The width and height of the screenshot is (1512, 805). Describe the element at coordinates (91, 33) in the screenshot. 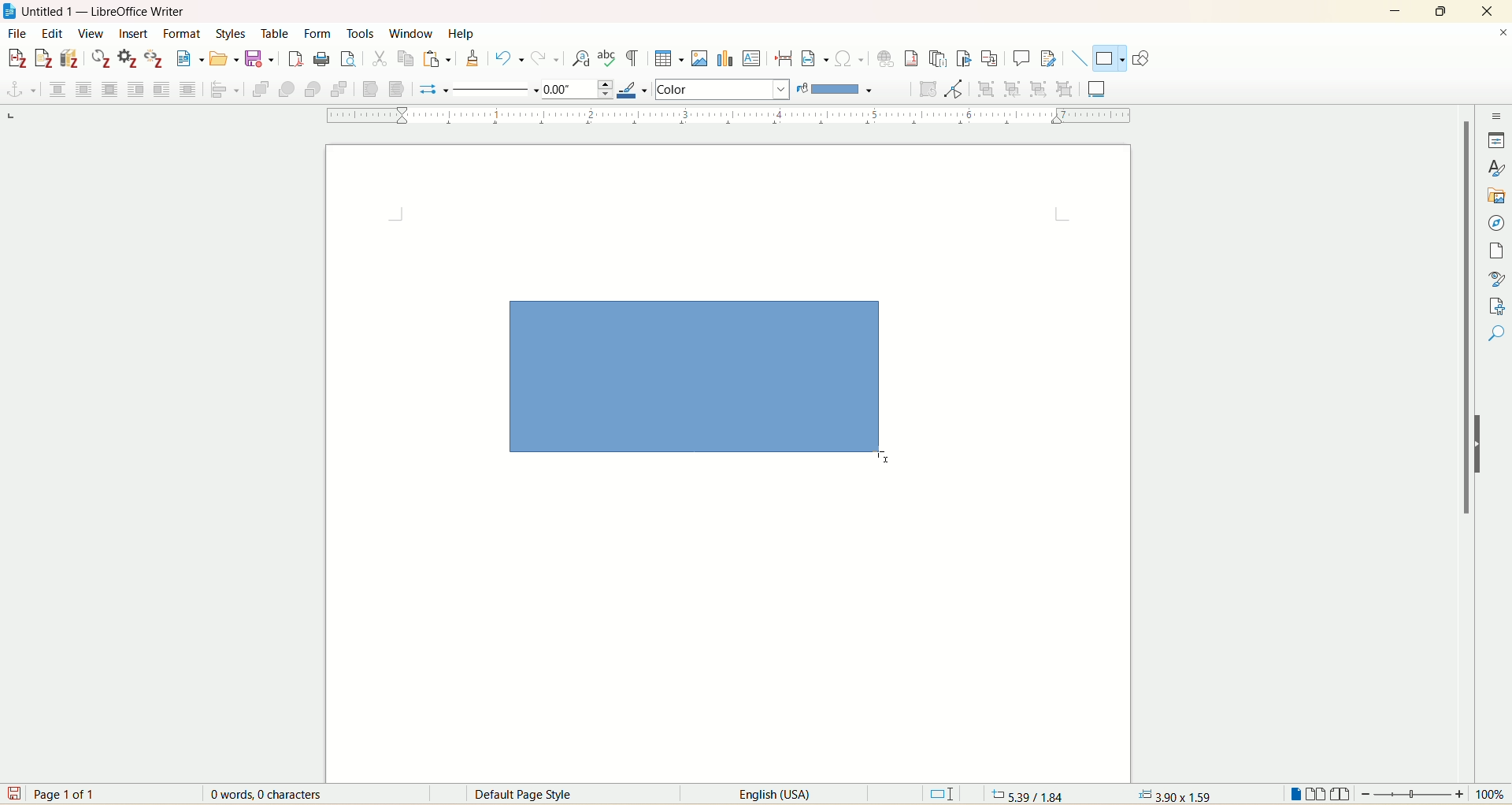

I see `view` at that location.